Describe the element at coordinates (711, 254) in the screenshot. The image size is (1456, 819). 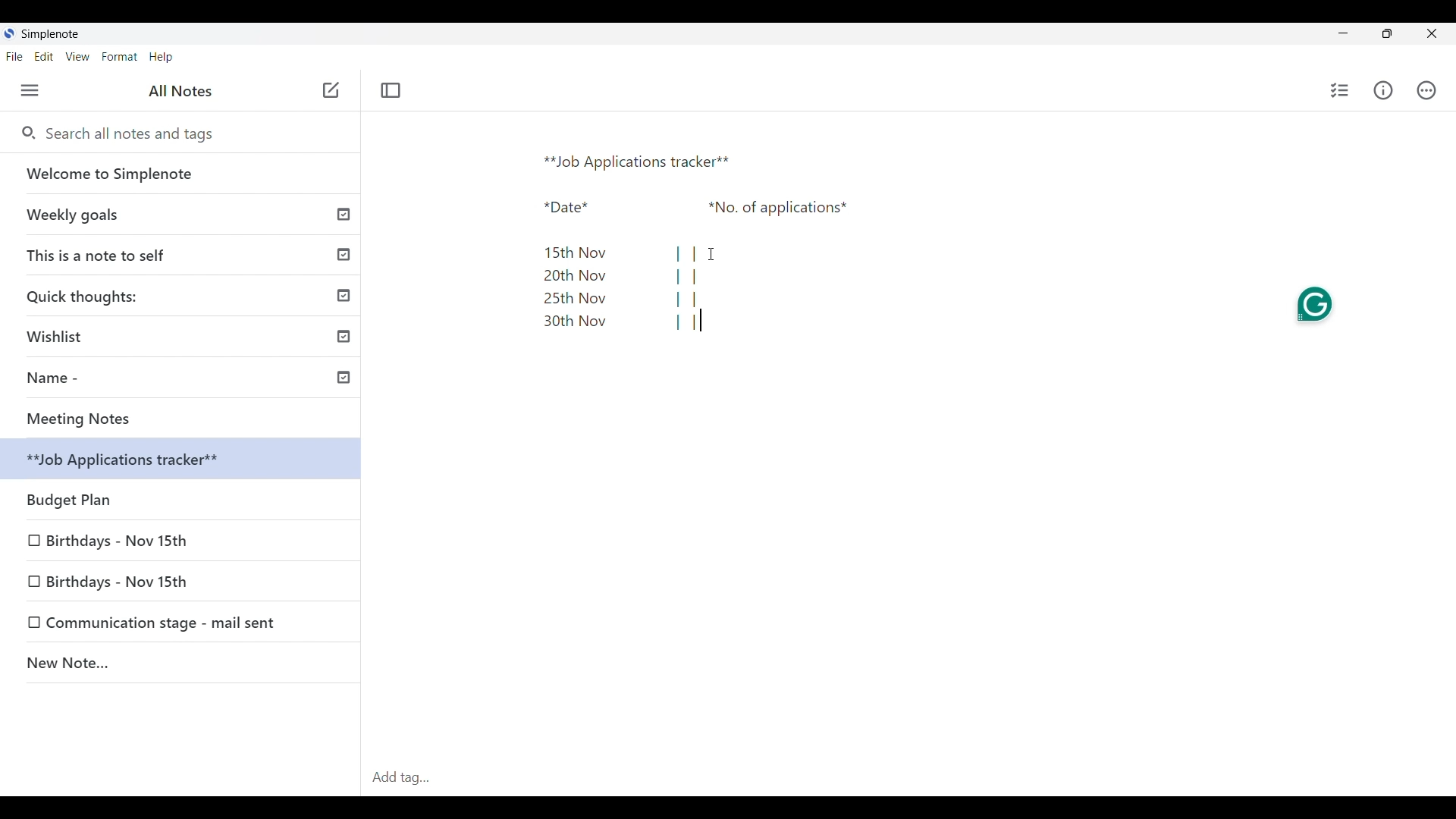
I see `Cursor` at that location.